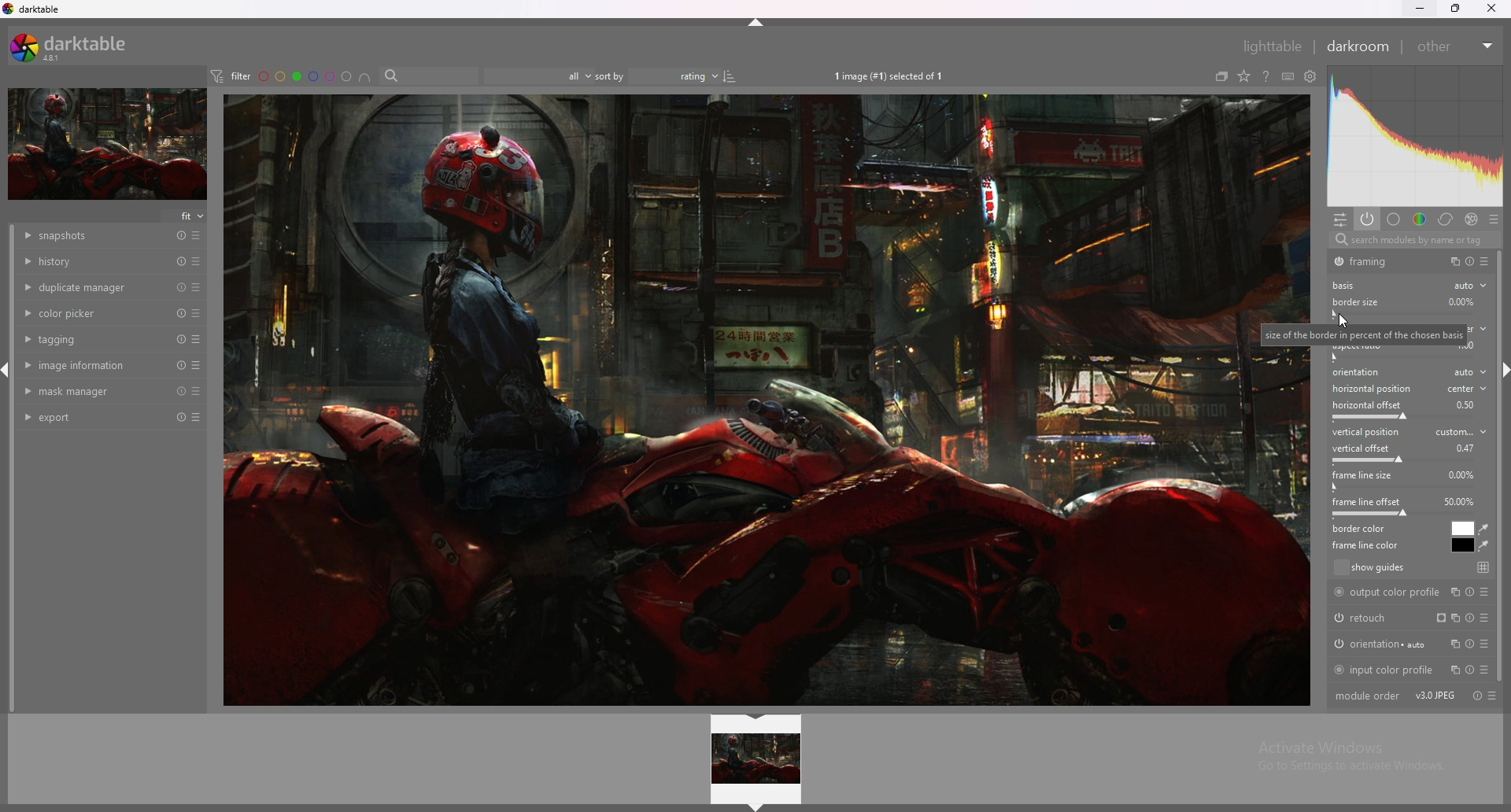 This screenshot has width=1511, height=812. Describe the element at coordinates (1412, 592) in the screenshot. I see `output color profile` at that location.